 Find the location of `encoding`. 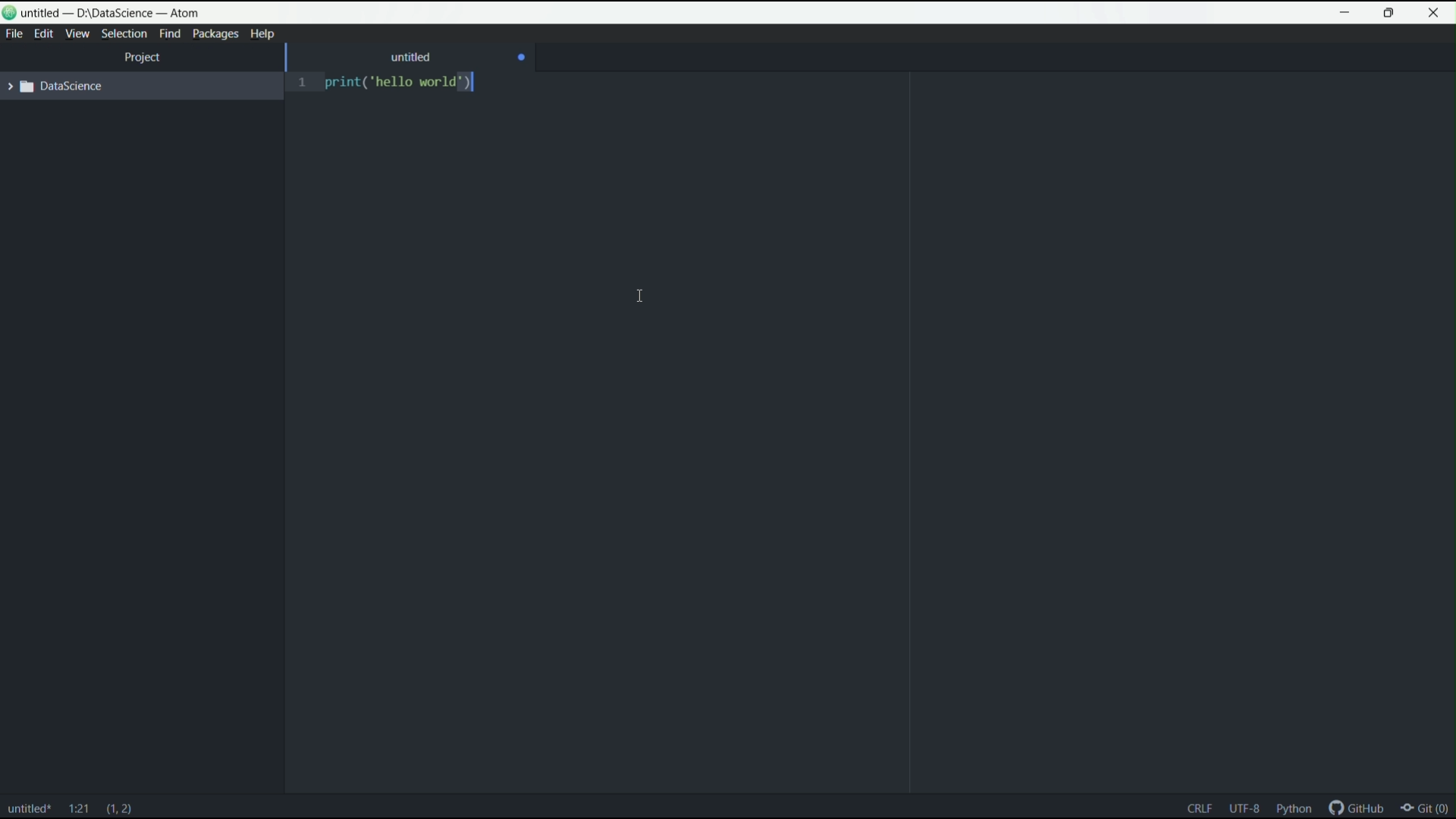

encoding is located at coordinates (1242, 808).